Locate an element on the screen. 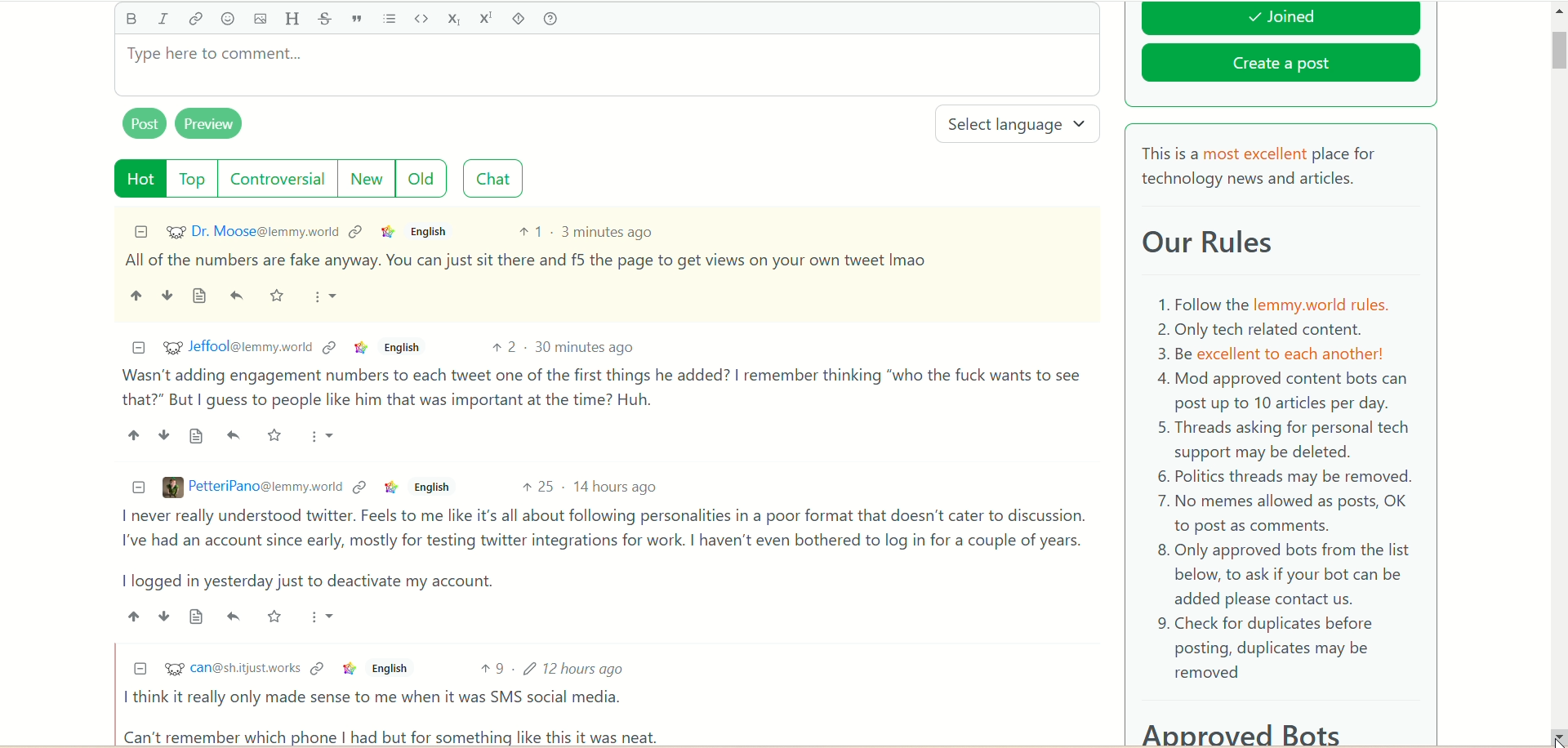 The height and width of the screenshot is (748, 1568). Collapse is located at coordinates (141, 231).